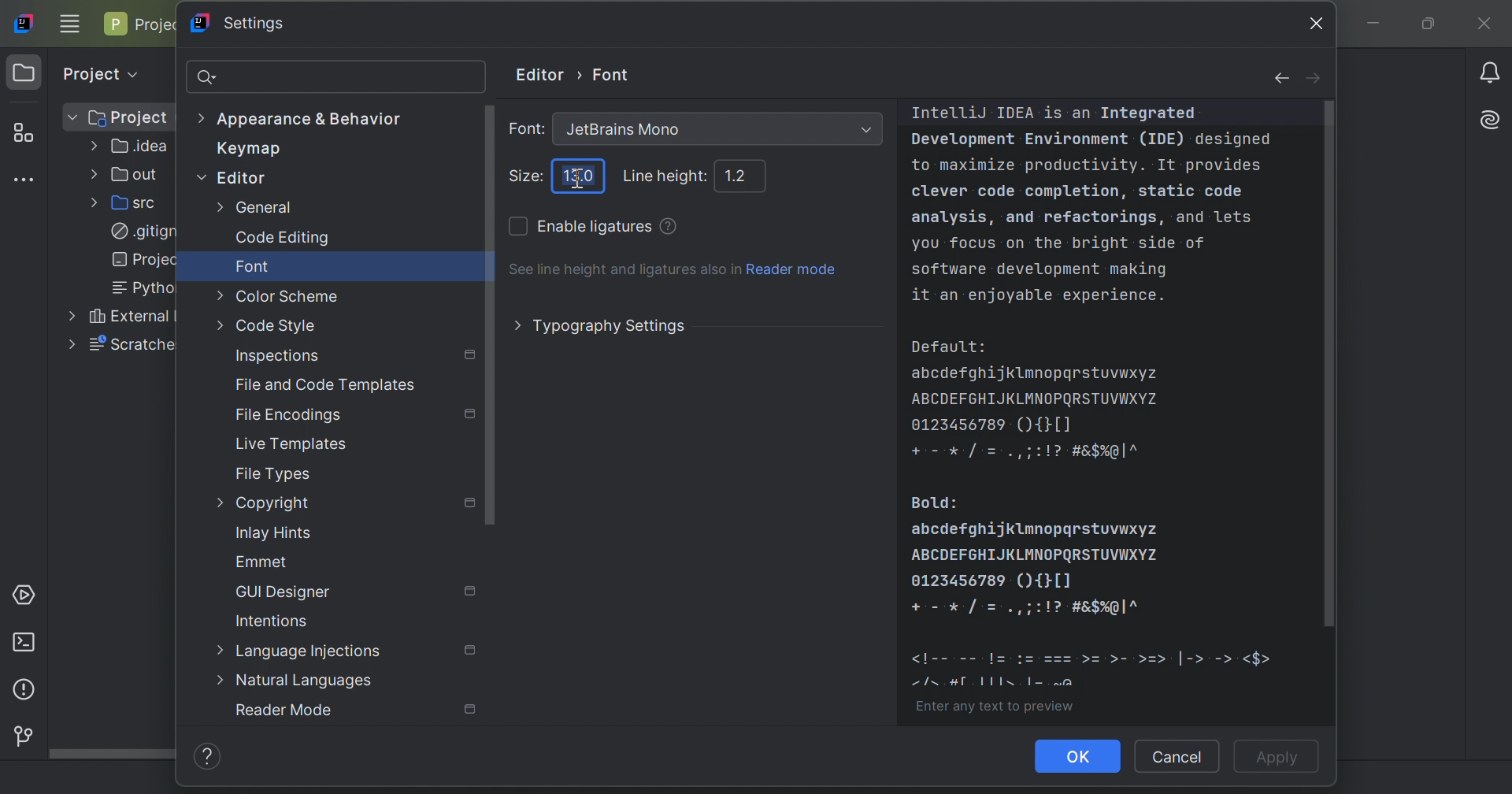 Image resolution: width=1512 pixels, height=794 pixels. Describe the element at coordinates (471, 358) in the screenshot. I see `Settings marked with this icon are only applied to the current project. Non-marked settings are applied to all projects.` at that location.